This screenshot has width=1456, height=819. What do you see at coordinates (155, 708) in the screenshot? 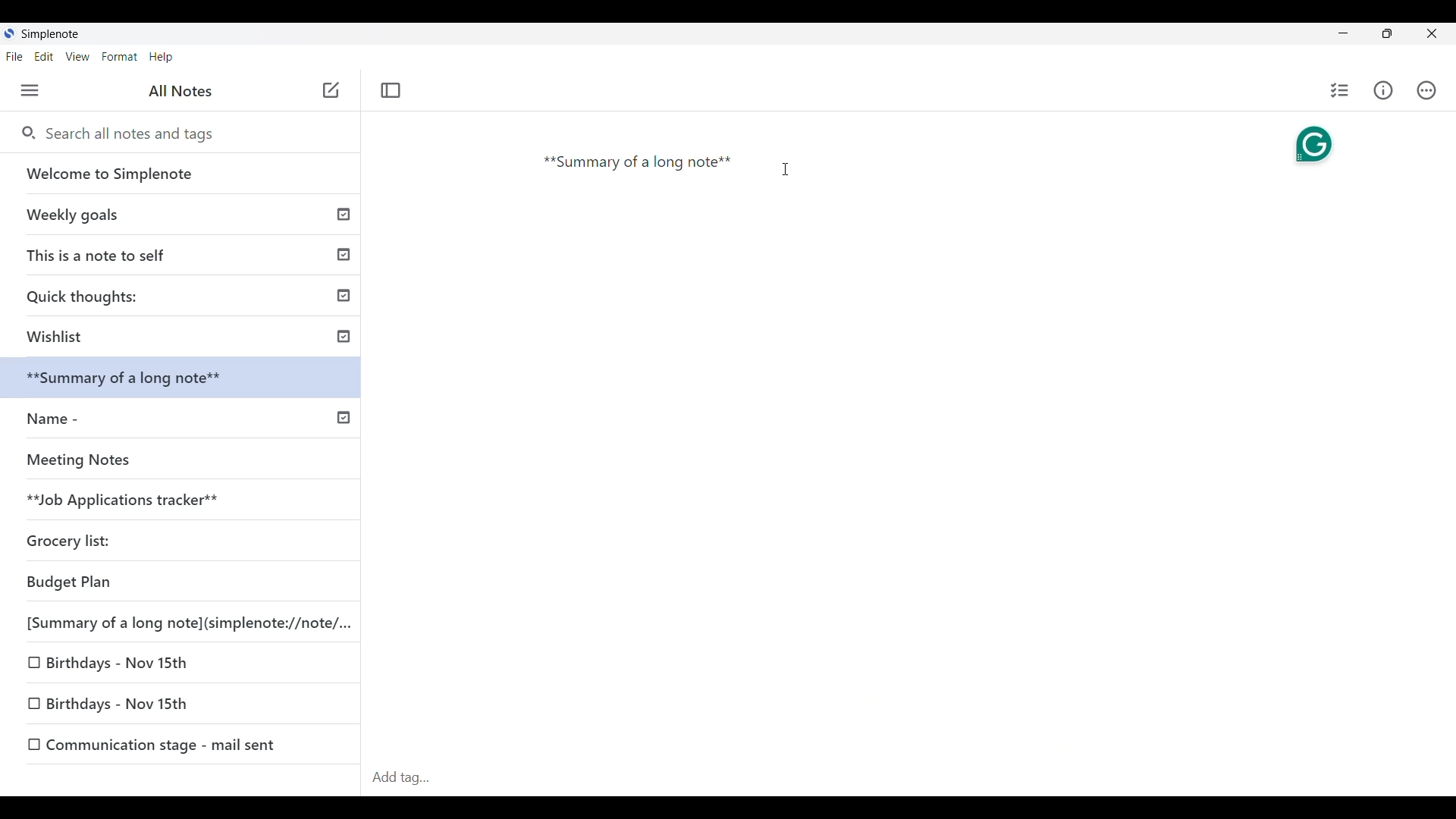
I see `Birthdays-Nov 15th` at bounding box center [155, 708].